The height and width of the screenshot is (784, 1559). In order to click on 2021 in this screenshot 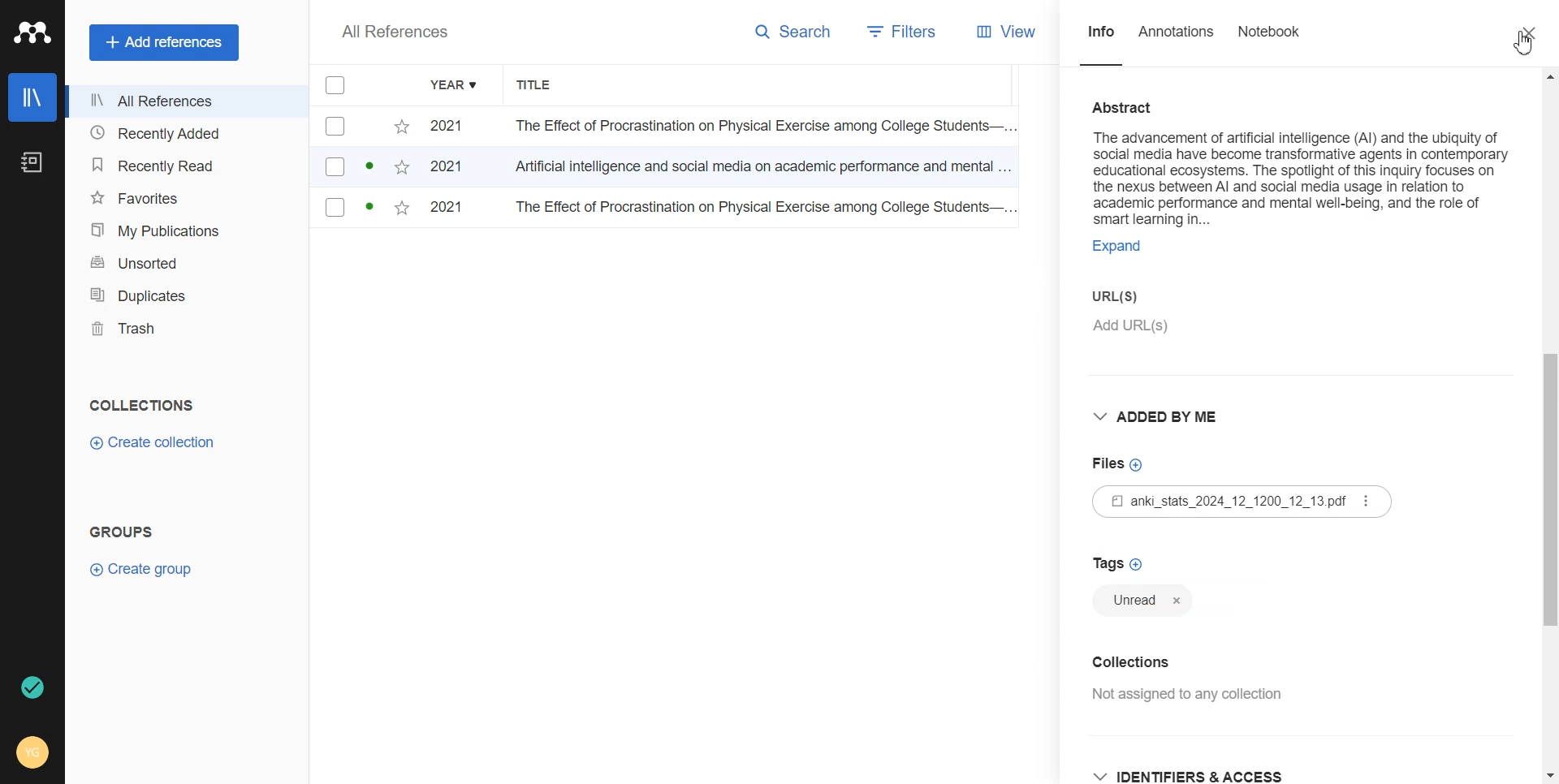, I will do `click(453, 209)`.